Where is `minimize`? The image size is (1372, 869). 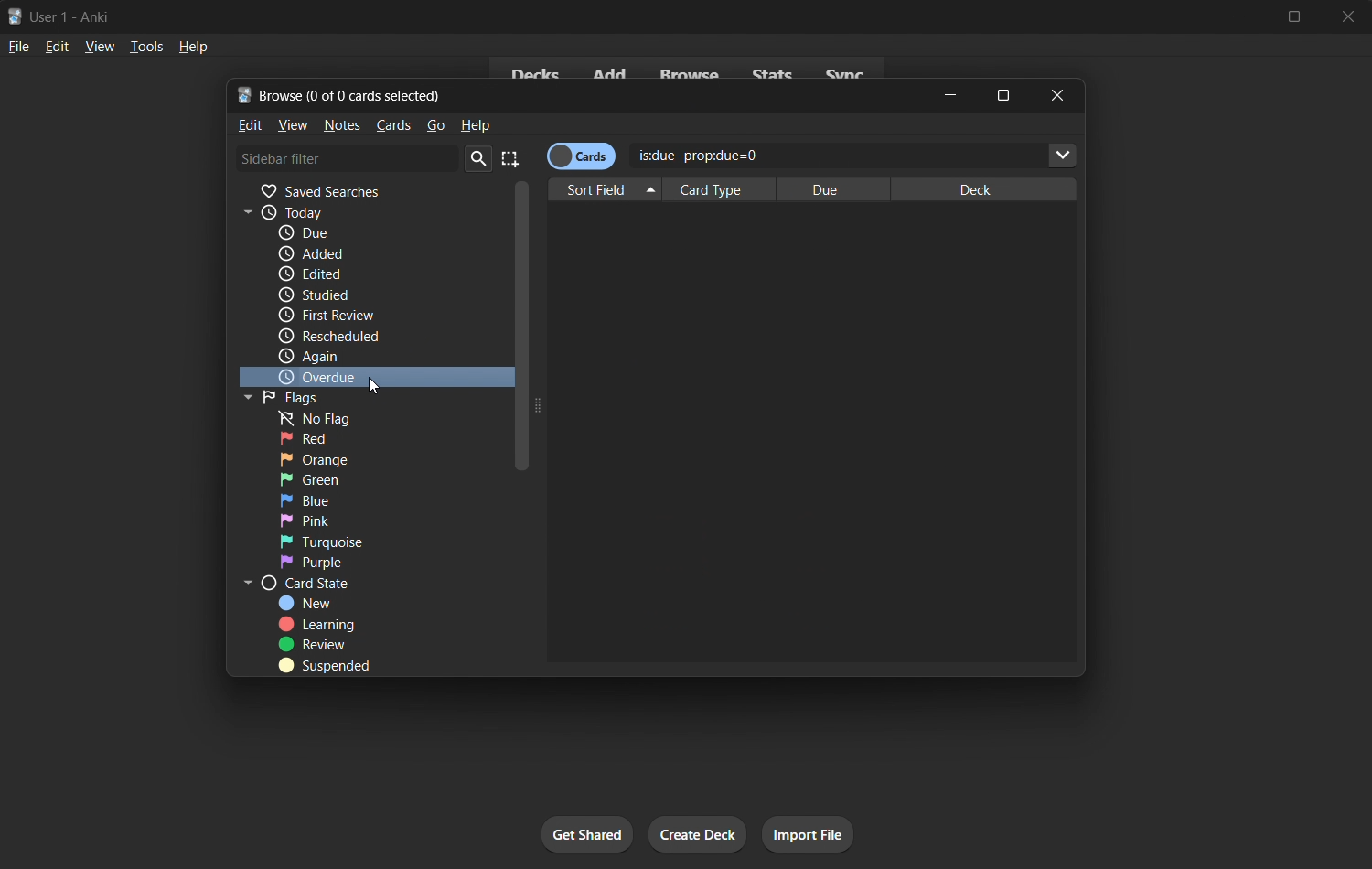 minimize is located at coordinates (1246, 16).